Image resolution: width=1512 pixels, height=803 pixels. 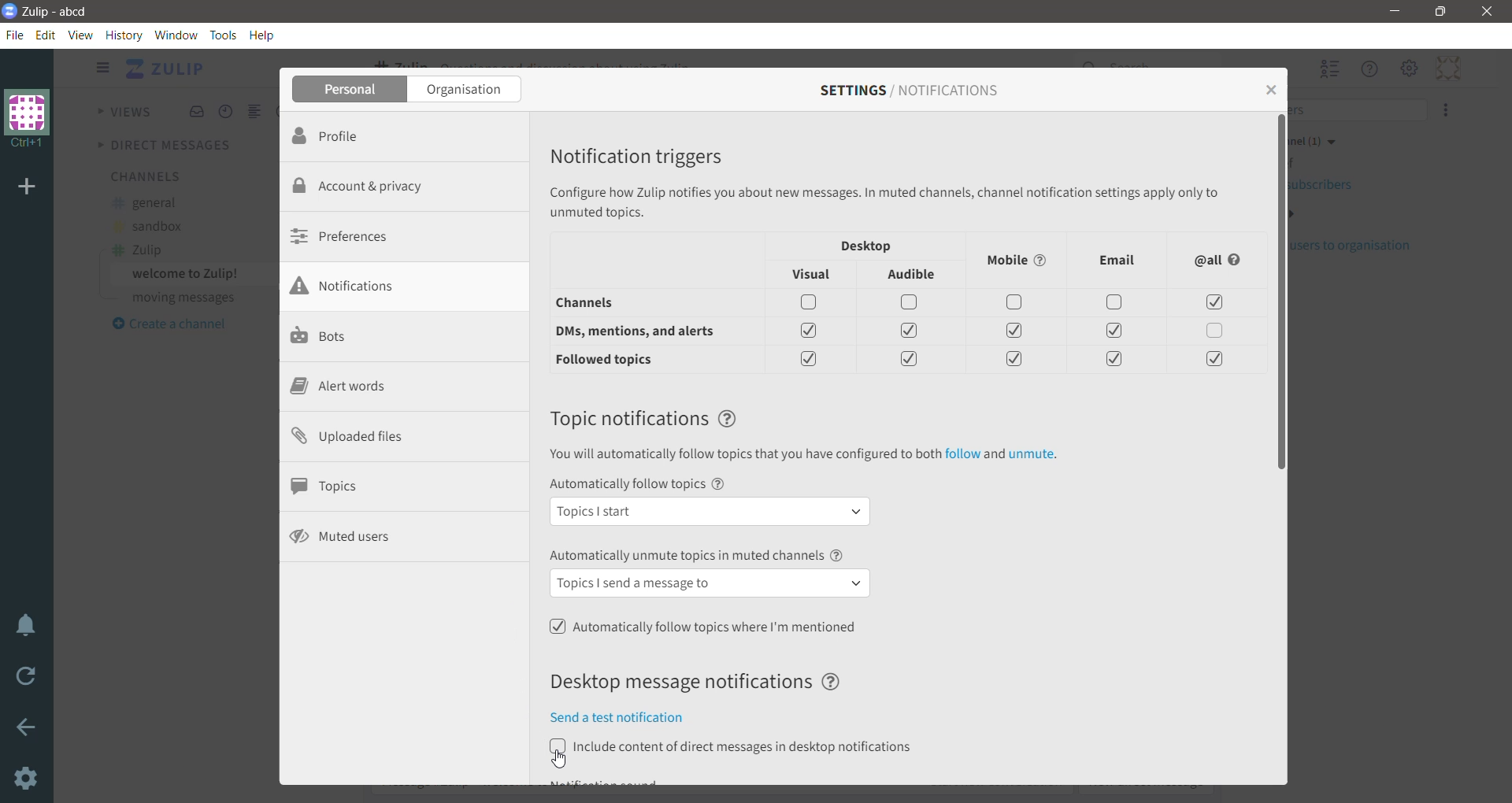 What do you see at coordinates (338, 388) in the screenshot?
I see `Alert words` at bounding box center [338, 388].